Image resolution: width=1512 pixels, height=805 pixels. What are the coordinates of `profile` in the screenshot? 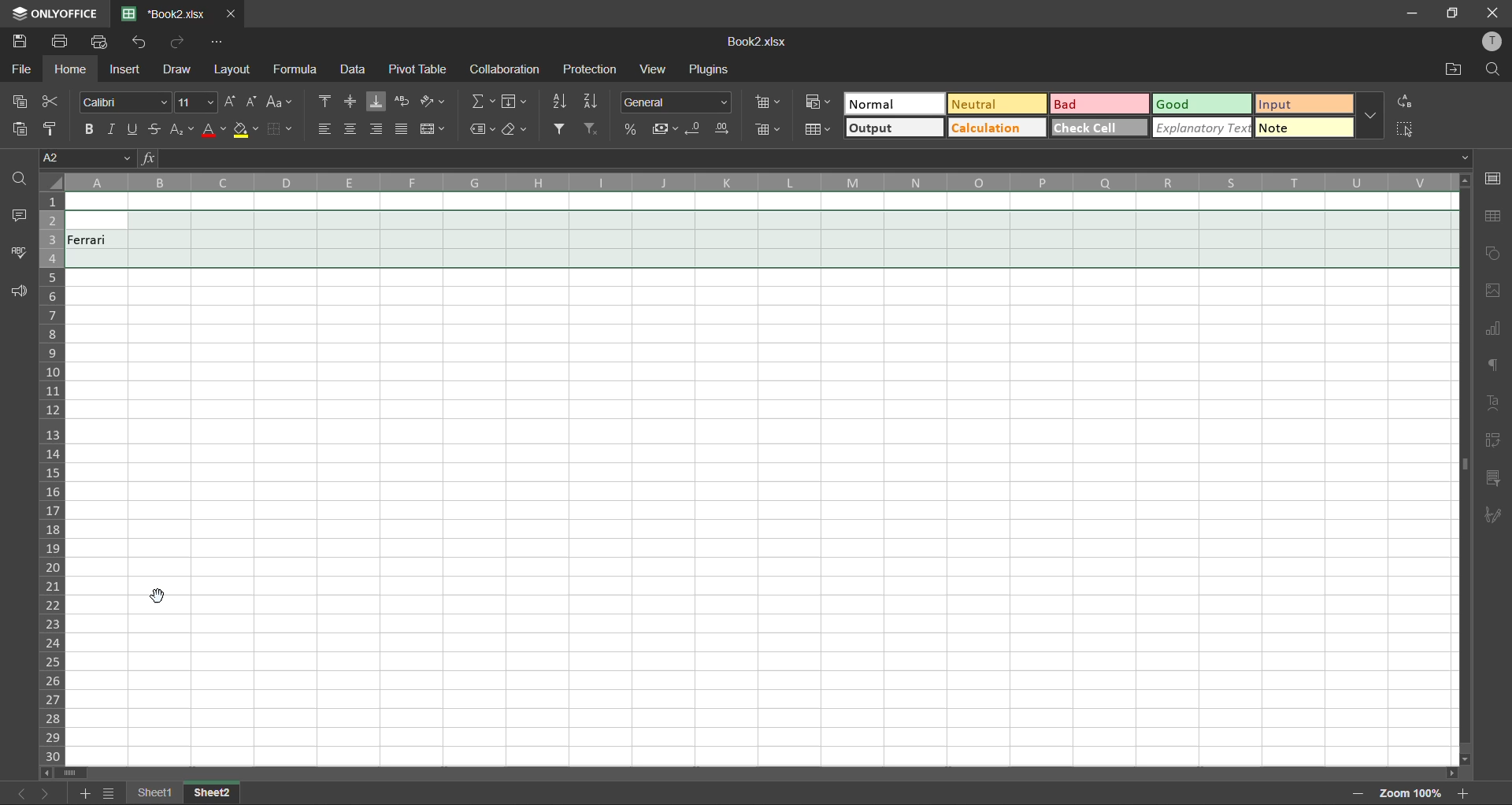 It's located at (1493, 42).